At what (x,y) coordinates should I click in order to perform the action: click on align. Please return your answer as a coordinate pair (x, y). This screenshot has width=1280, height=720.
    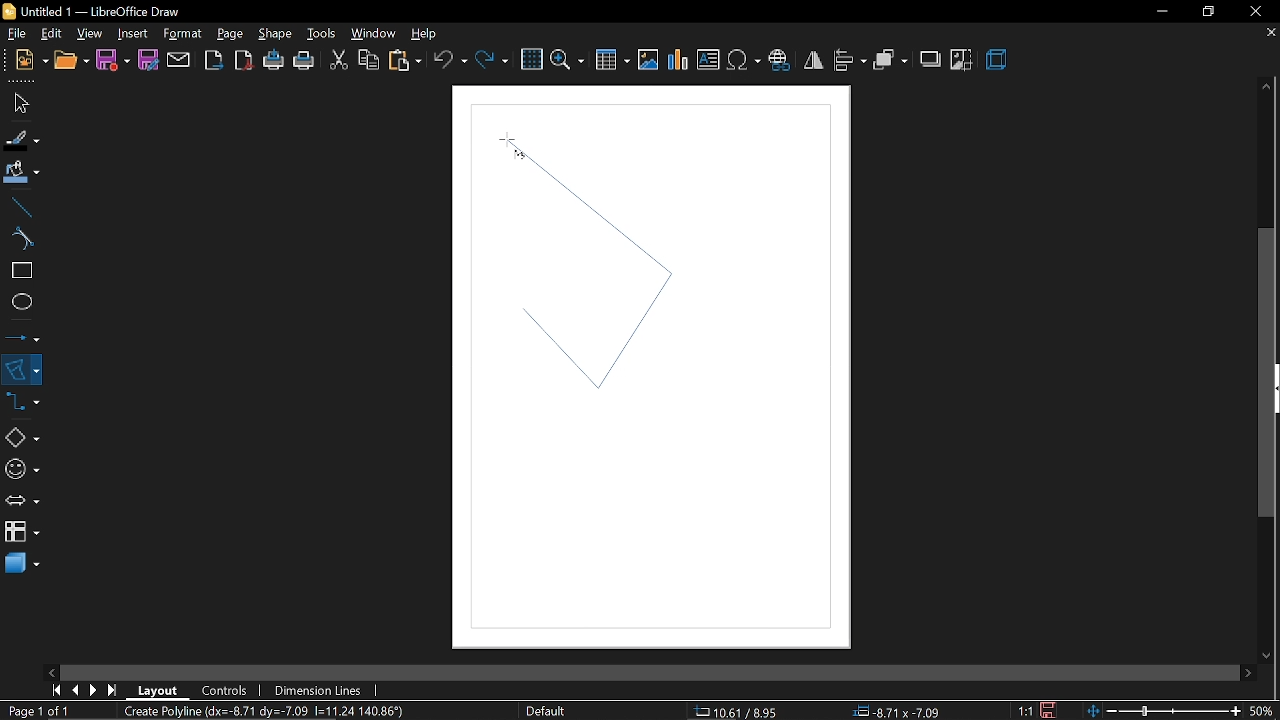
    Looking at the image, I should click on (849, 59).